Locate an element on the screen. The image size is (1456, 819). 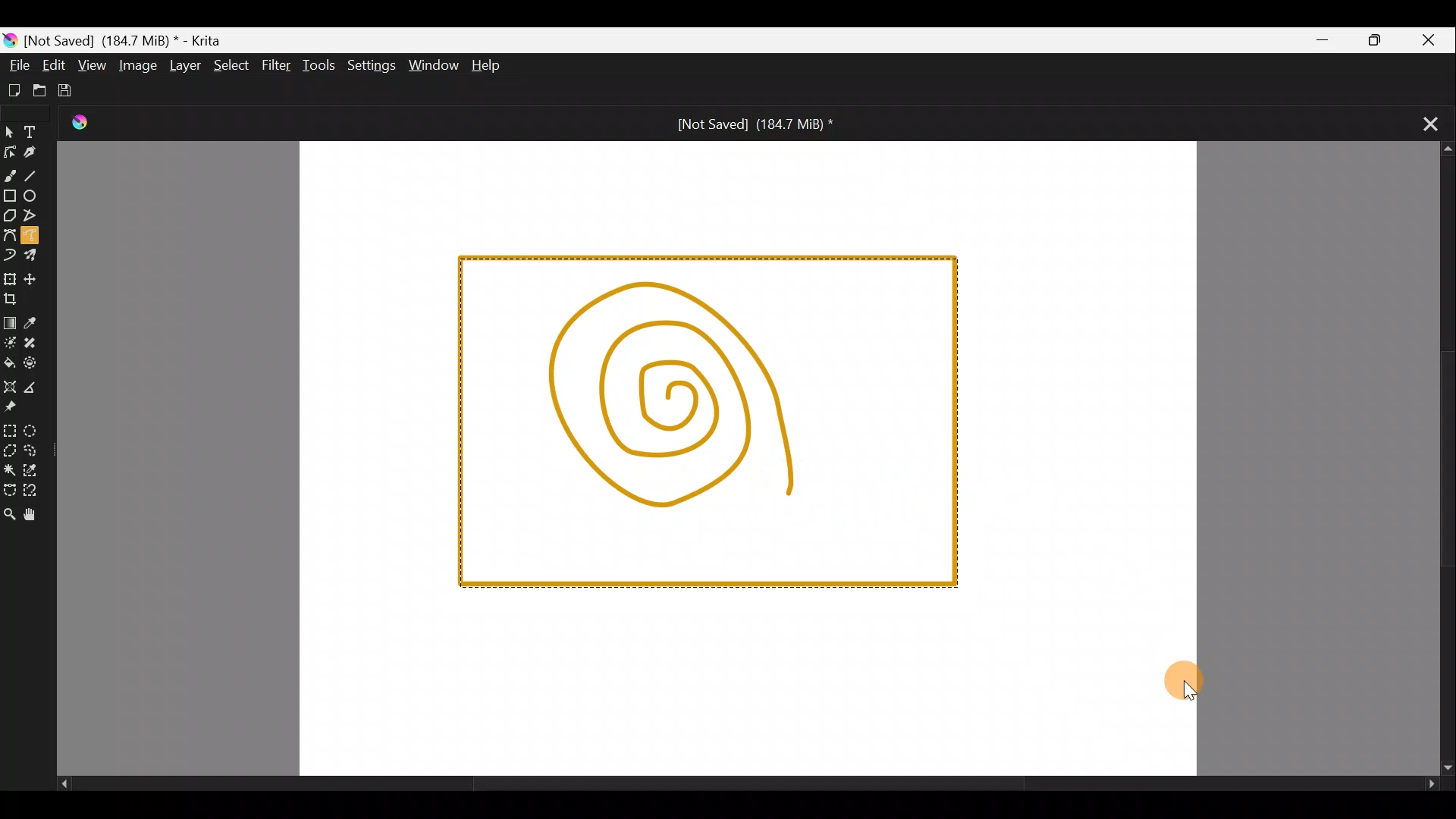
Minimize is located at coordinates (1321, 40).